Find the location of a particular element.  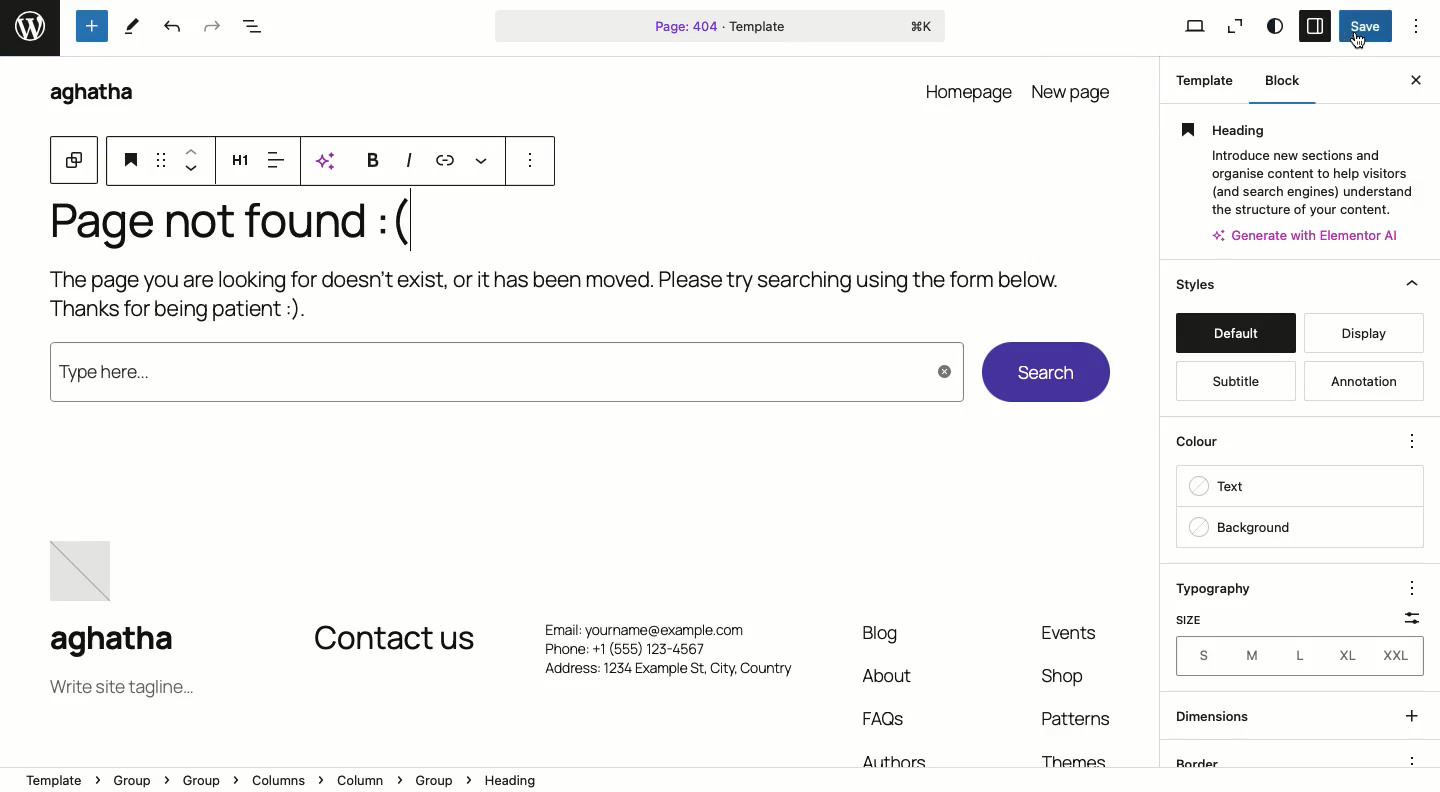

Undo is located at coordinates (171, 27).